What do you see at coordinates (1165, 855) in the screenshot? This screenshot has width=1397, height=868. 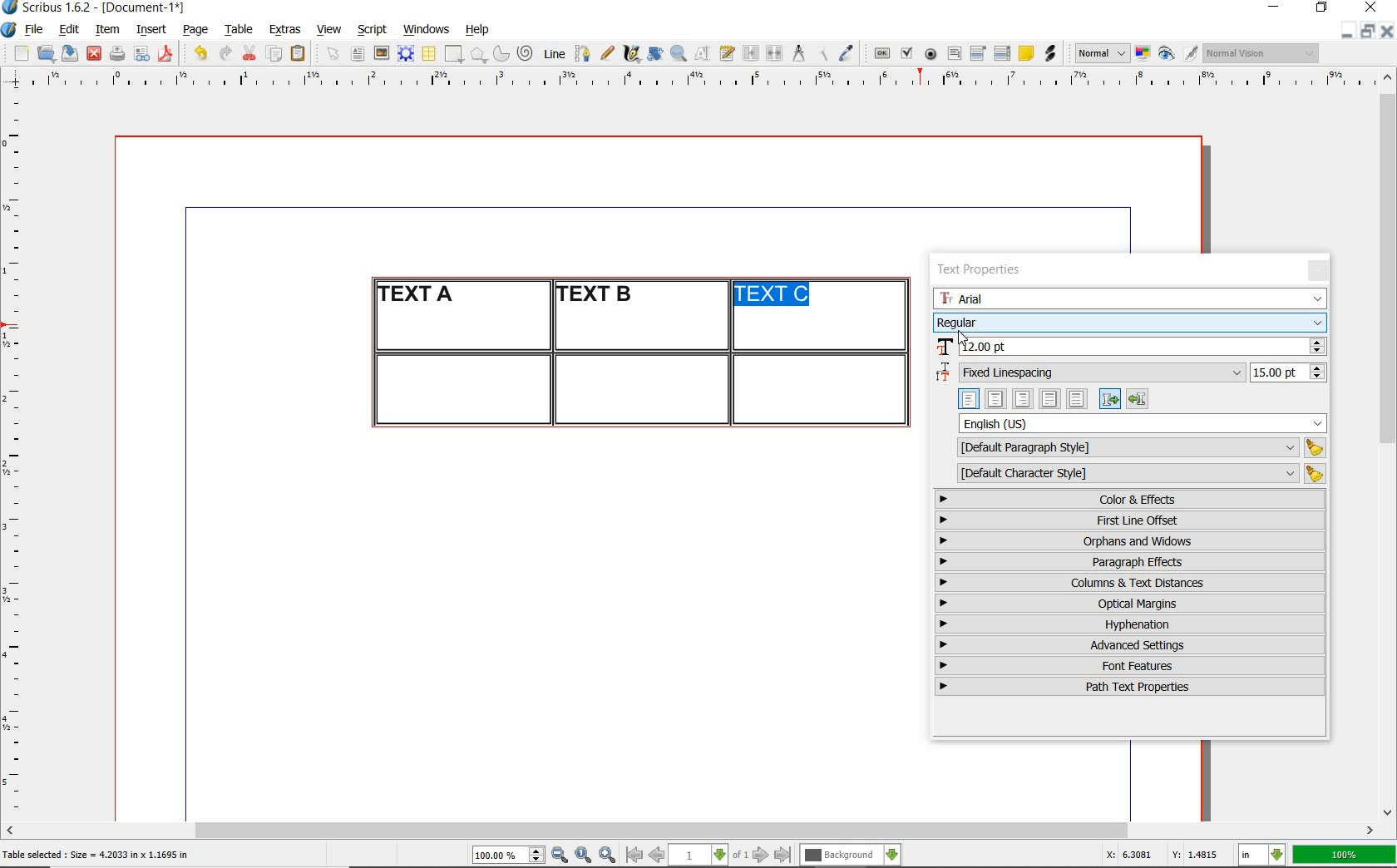 I see `X: 6.3081 Y: 1.4815` at bounding box center [1165, 855].